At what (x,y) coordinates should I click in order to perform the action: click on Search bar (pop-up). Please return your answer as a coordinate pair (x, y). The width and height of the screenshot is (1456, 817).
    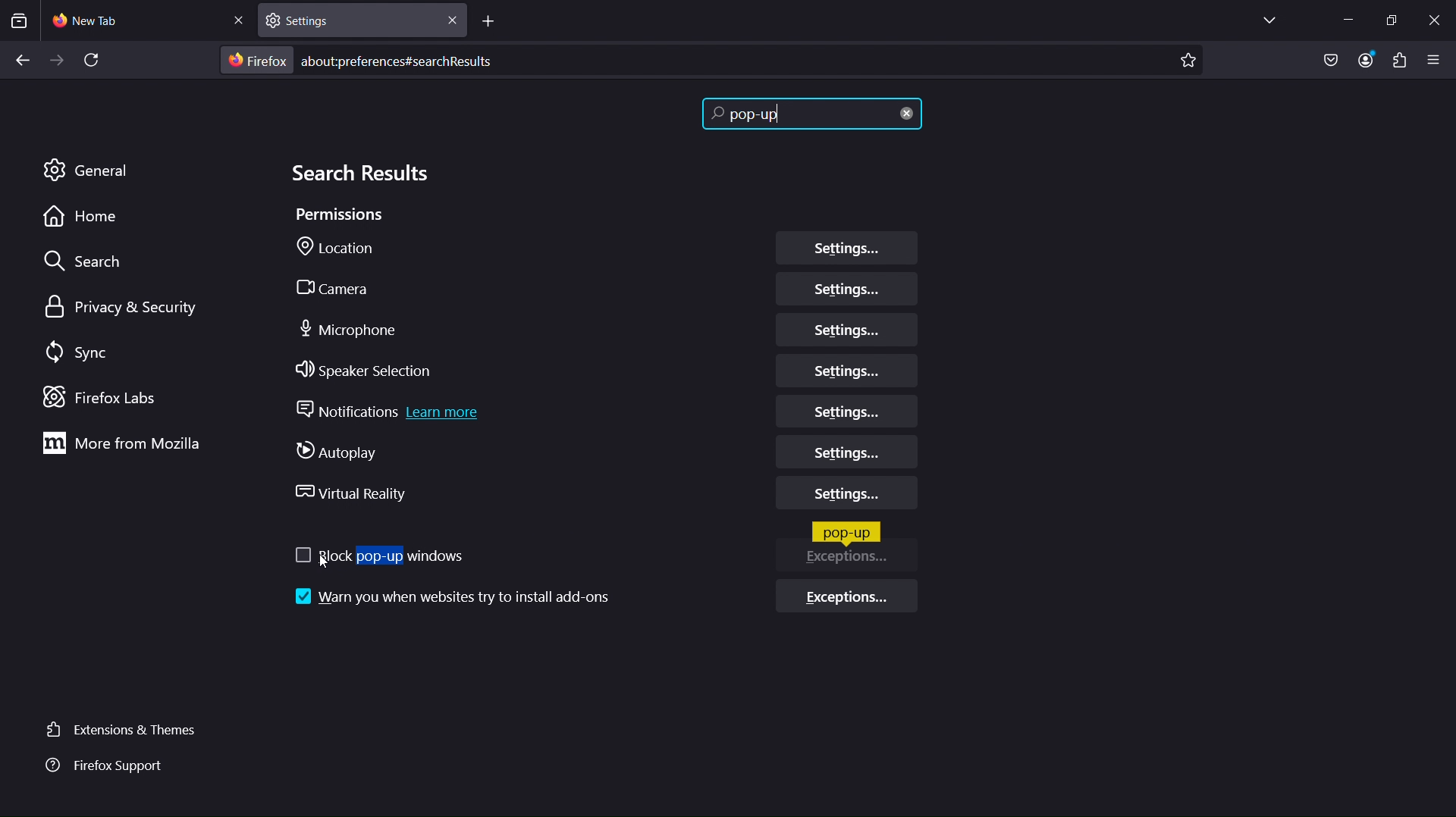
    Looking at the image, I should click on (817, 115).